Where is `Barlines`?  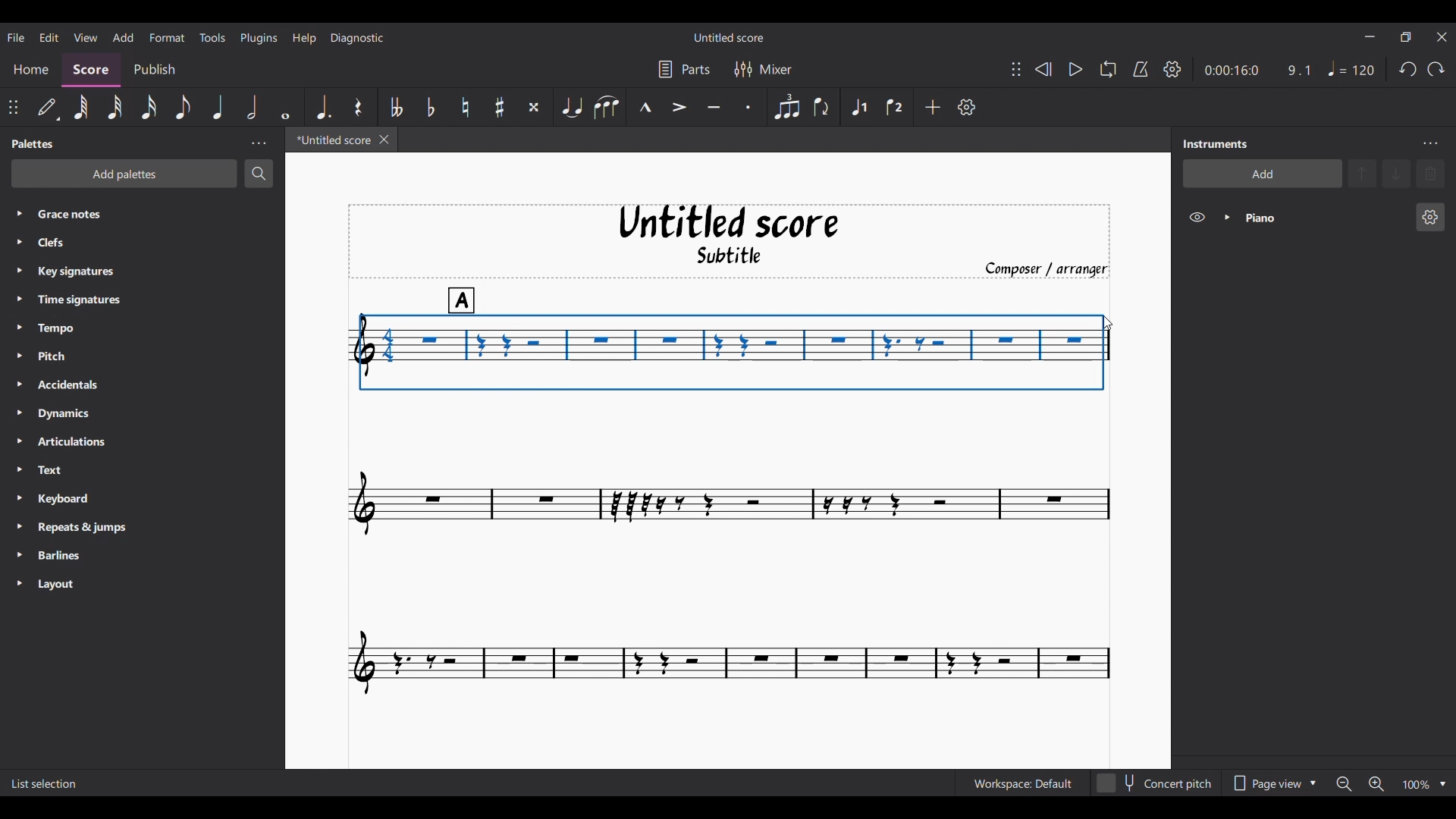
Barlines is located at coordinates (82, 557).